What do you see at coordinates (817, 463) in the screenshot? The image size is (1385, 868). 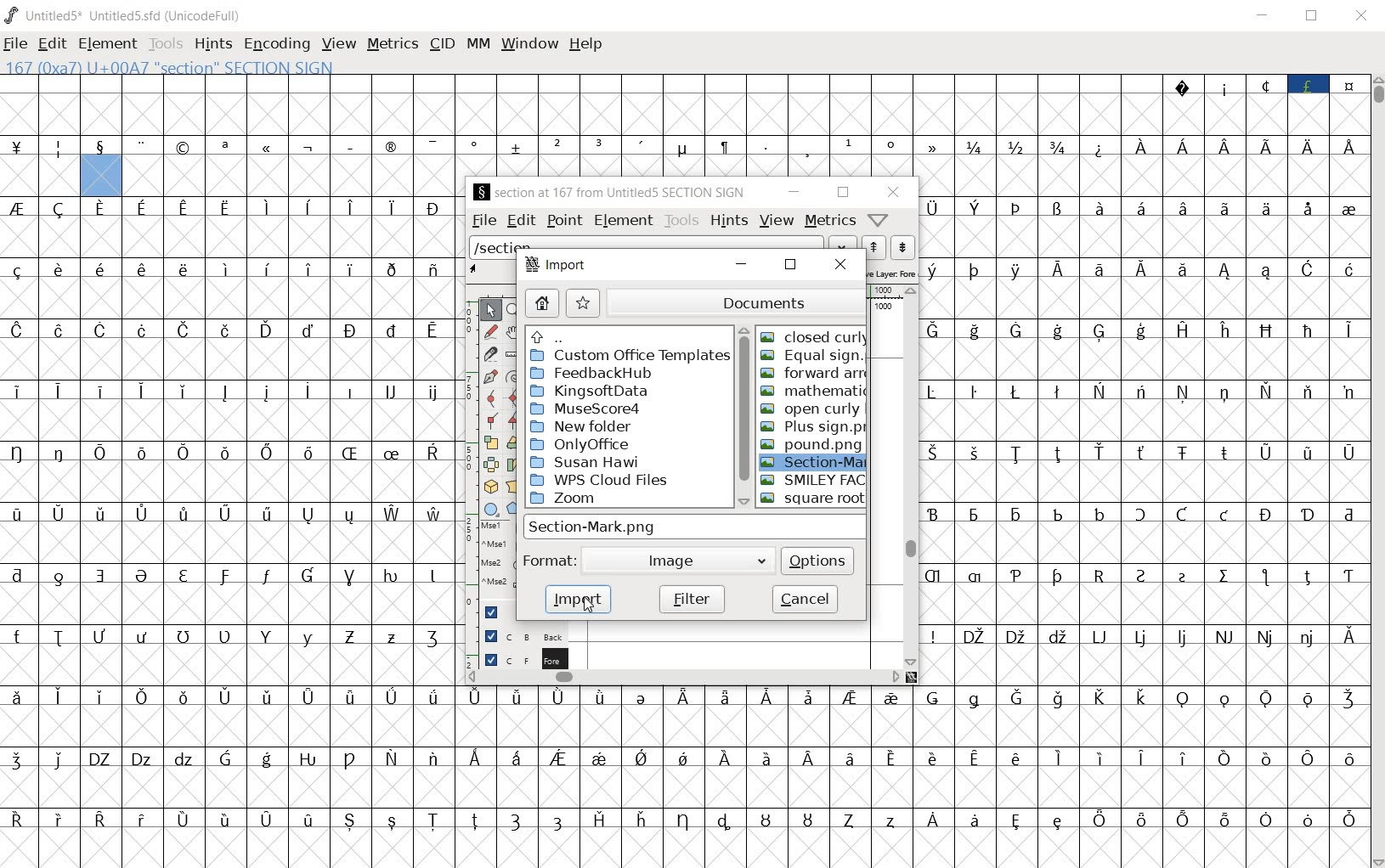 I see `SECTION-Mark.png` at bounding box center [817, 463].